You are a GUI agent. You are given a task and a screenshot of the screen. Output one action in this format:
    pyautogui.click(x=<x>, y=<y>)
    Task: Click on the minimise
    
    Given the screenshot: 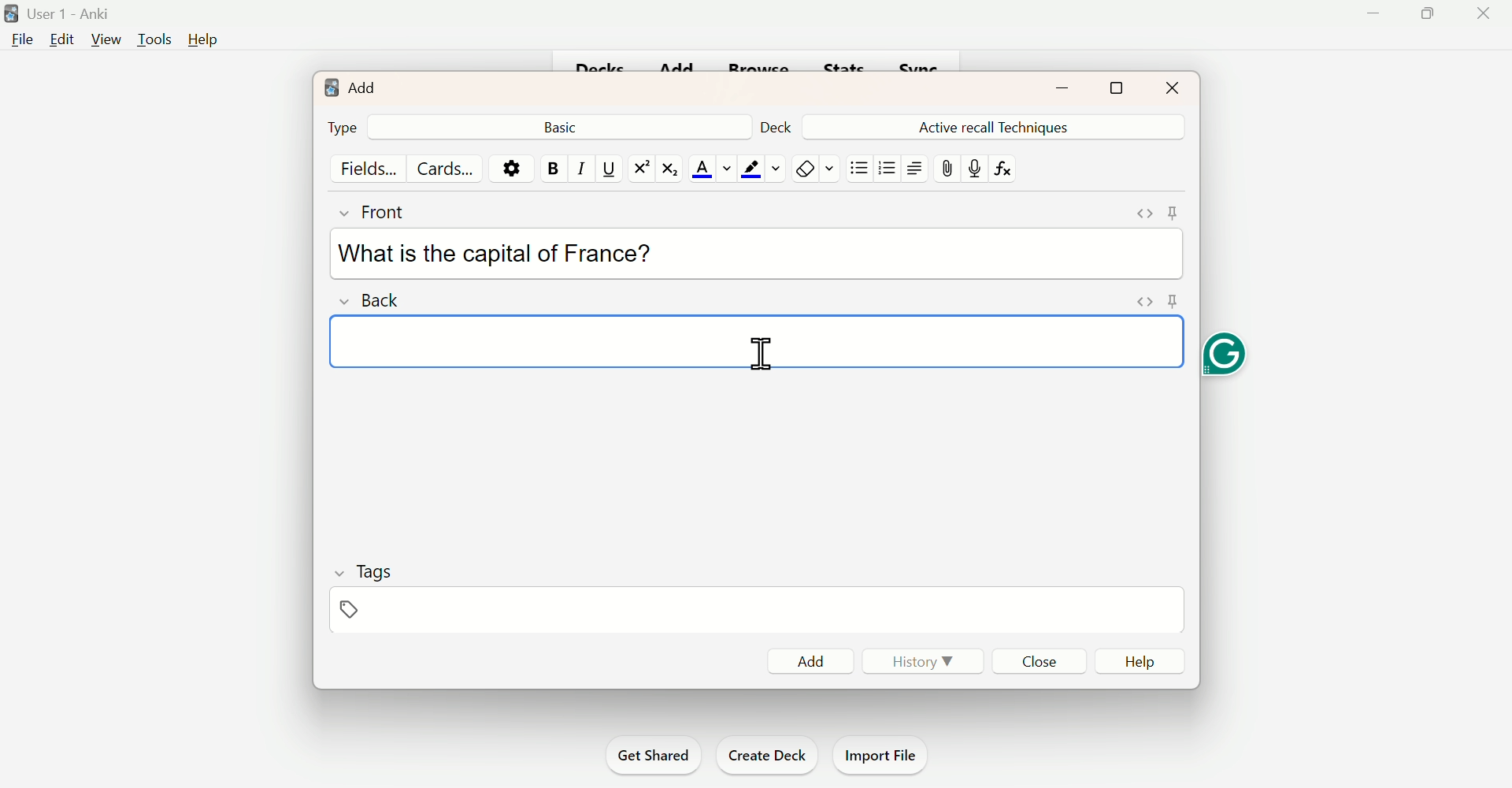 What is the action you would take?
    pyautogui.click(x=1053, y=88)
    